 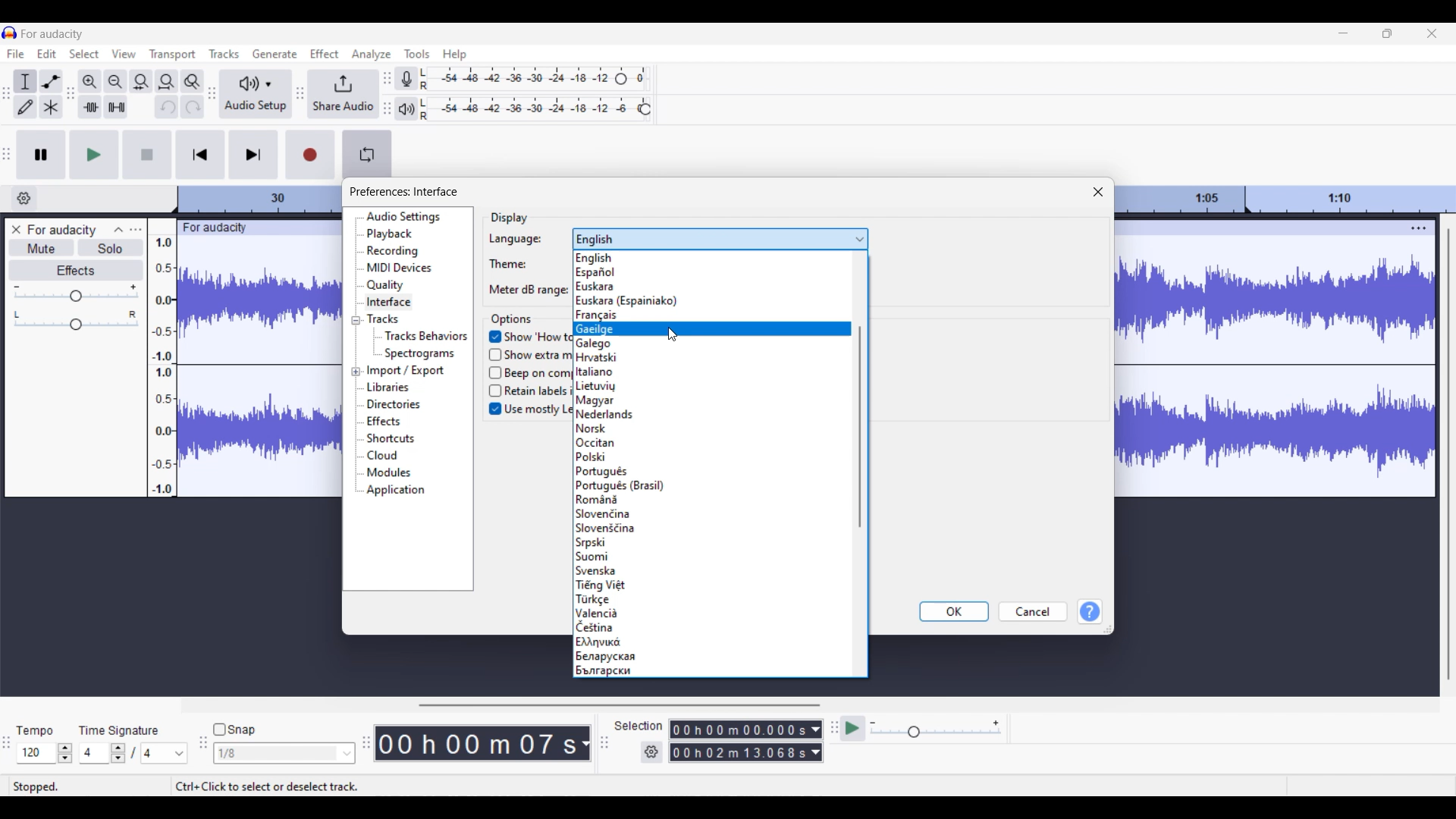 What do you see at coordinates (24, 199) in the screenshot?
I see `Timeline options` at bounding box center [24, 199].